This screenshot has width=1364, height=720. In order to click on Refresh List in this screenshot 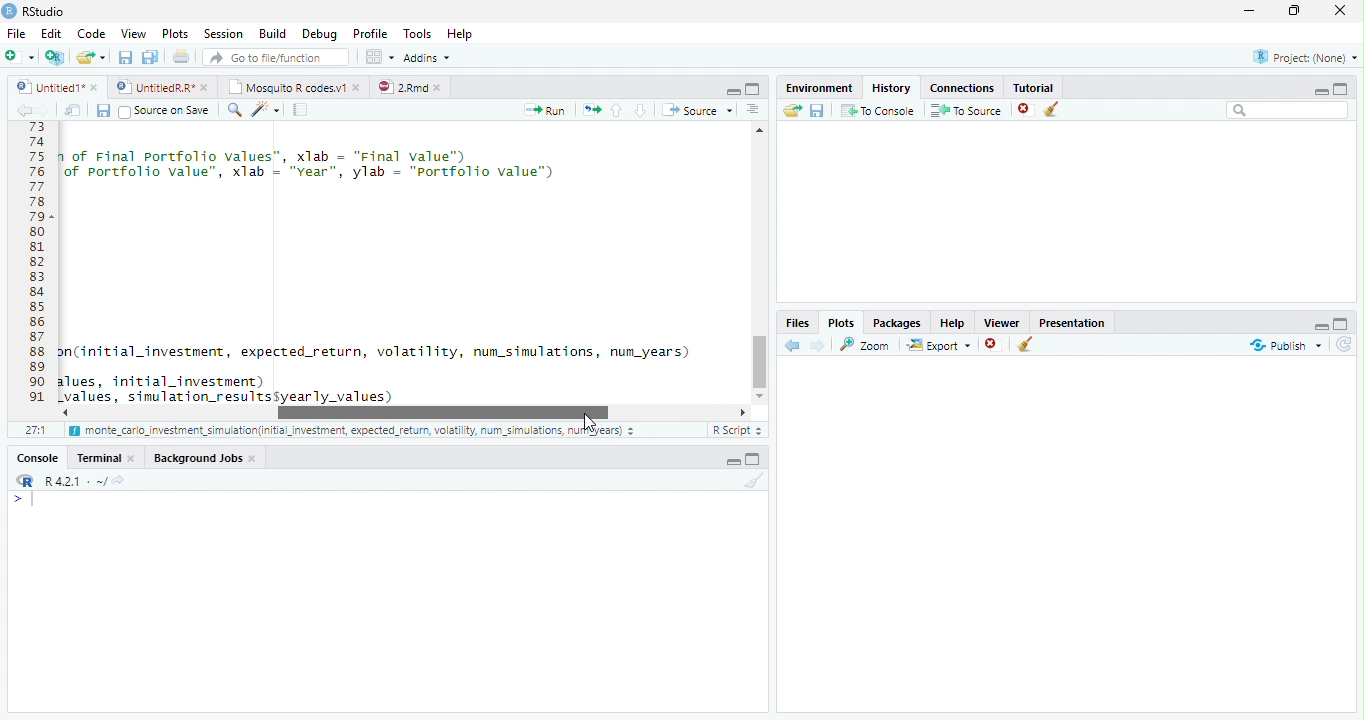, I will do `click(1345, 345)`.